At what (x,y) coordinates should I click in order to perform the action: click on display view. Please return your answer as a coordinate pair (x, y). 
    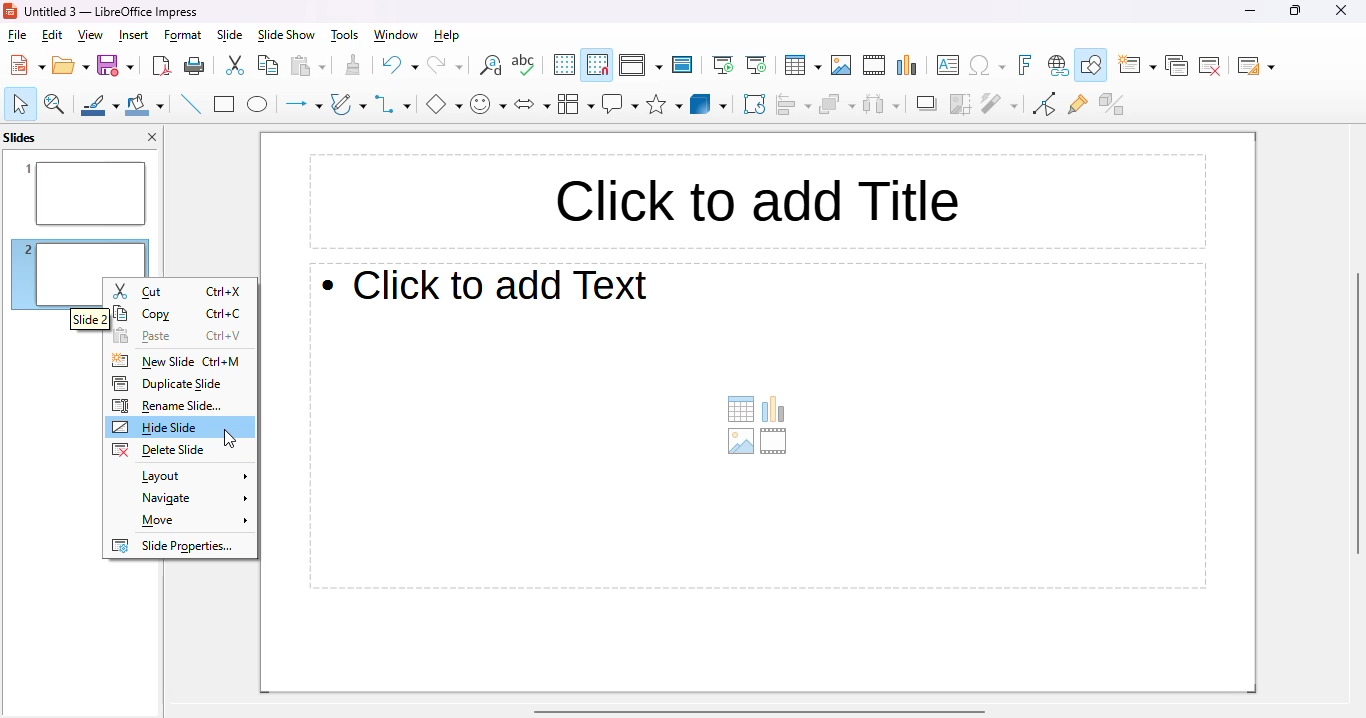
    Looking at the image, I should click on (640, 65).